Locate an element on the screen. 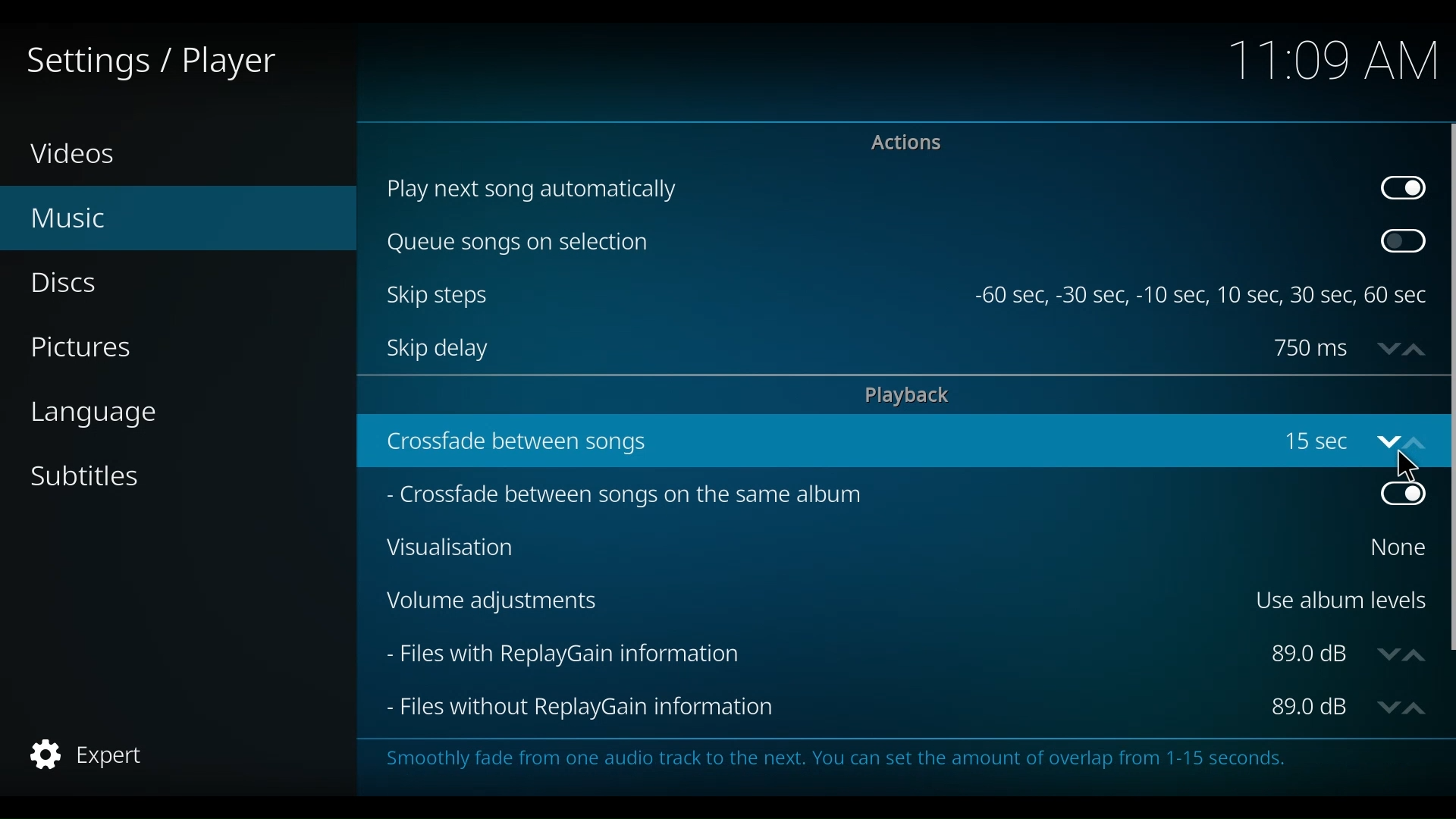 The image size is (1456, 819). expert is located at coordinates (83, 755).